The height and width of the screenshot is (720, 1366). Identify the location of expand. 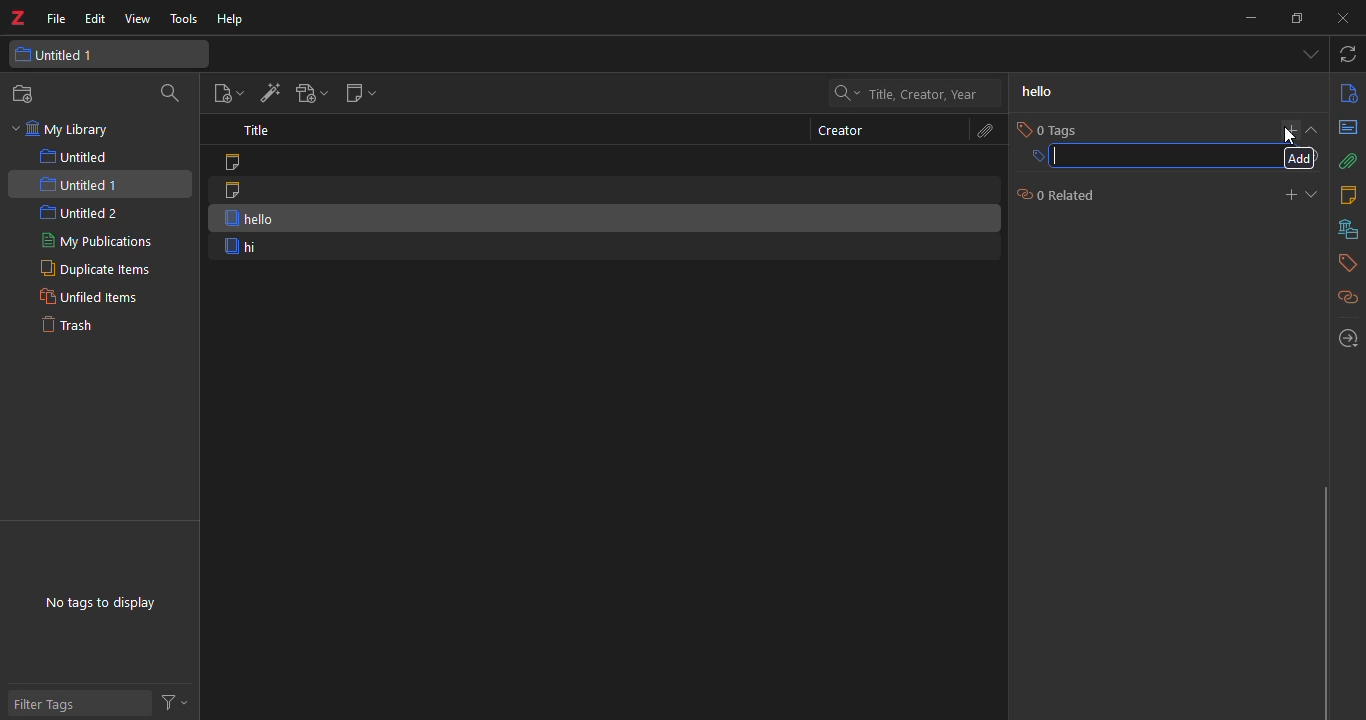
(1315, 194).